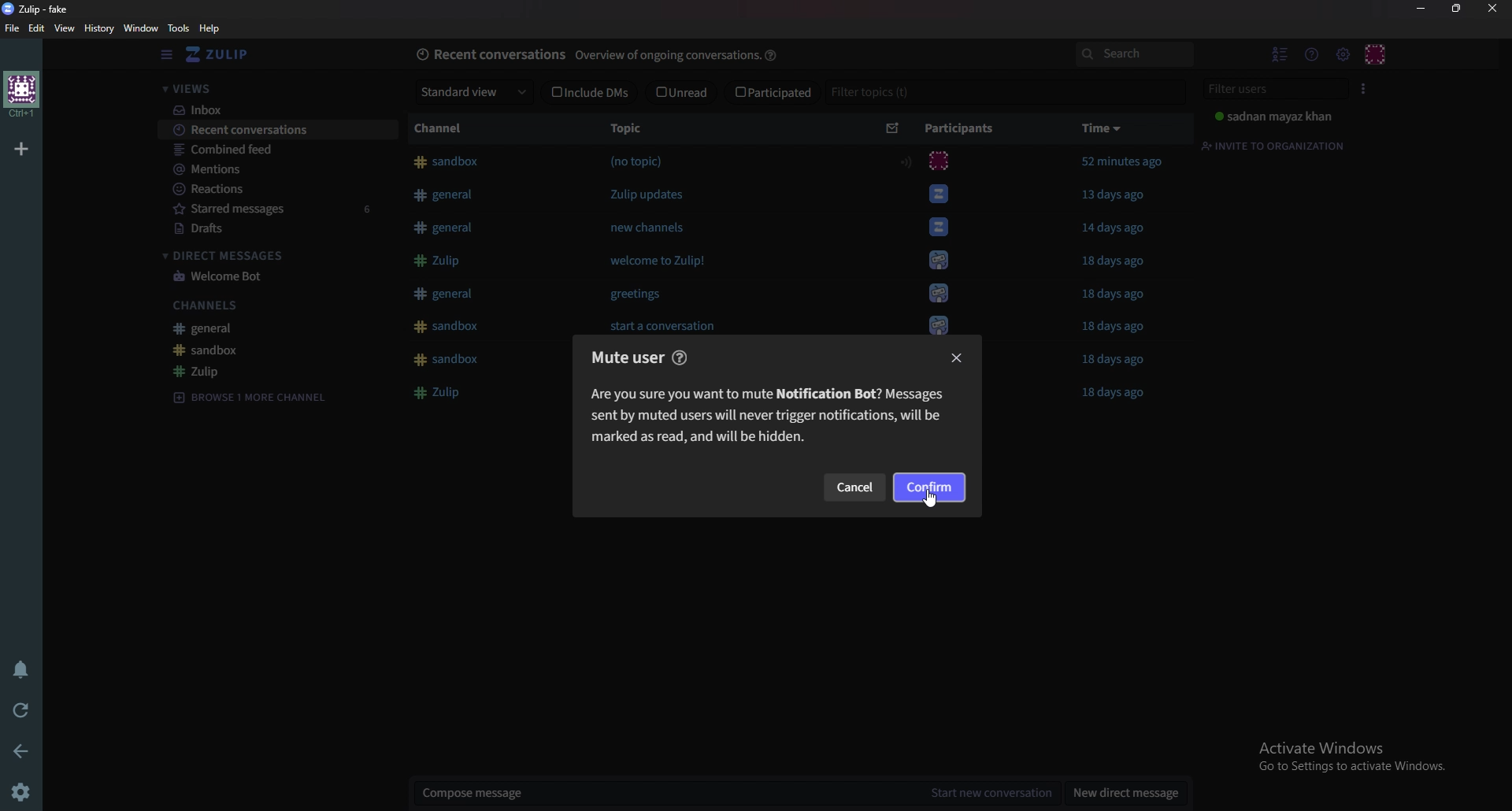 This screenshot has height=811, width=1512. What do you see at coordinates (636, 161) in the screenshot?
I see `(no topic)` at bounding box center [636, 161].